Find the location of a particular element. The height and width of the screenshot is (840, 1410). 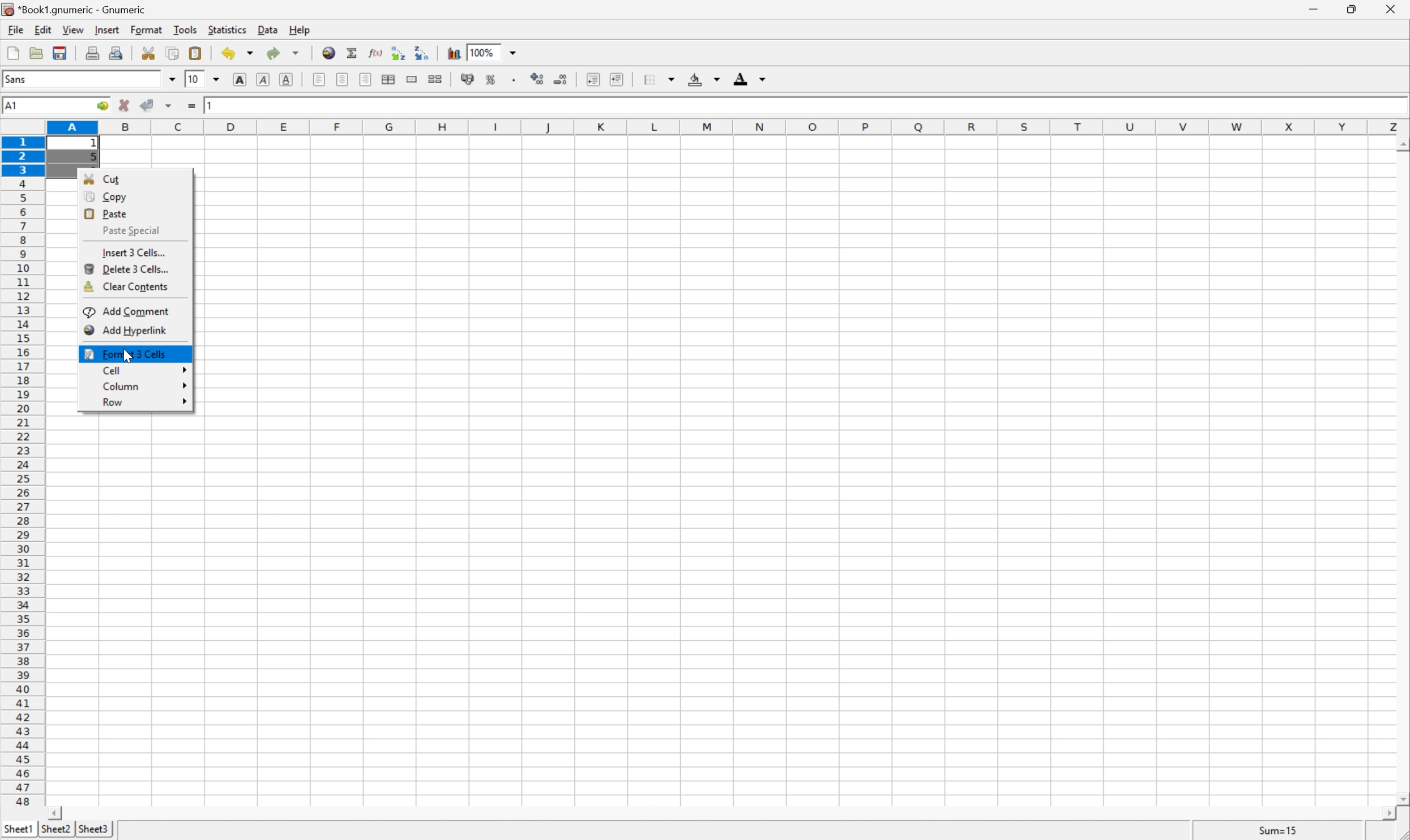

sum in current cell is located at coordinates (354, 53).